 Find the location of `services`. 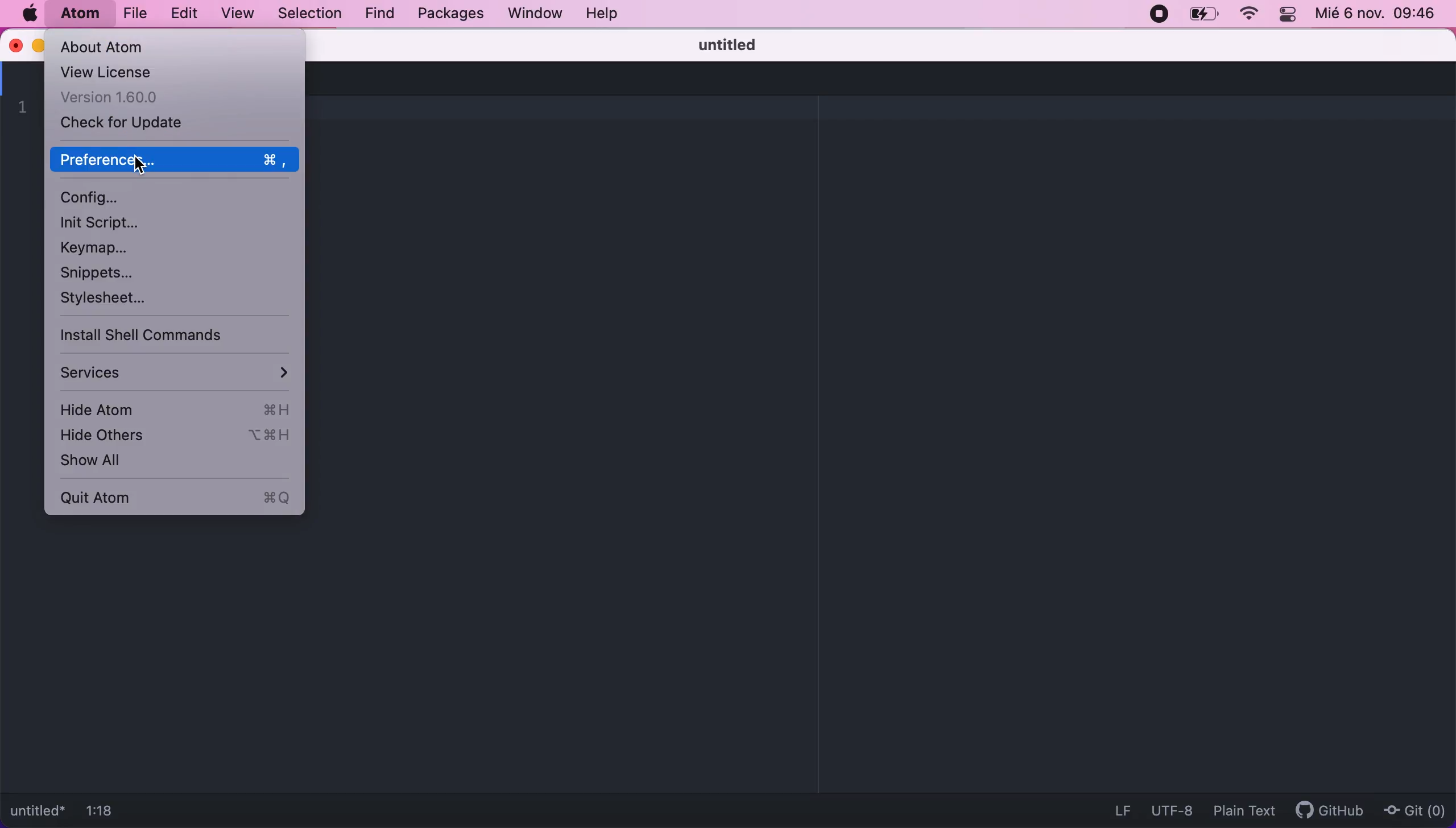

services is located at coordinates (179, 373).